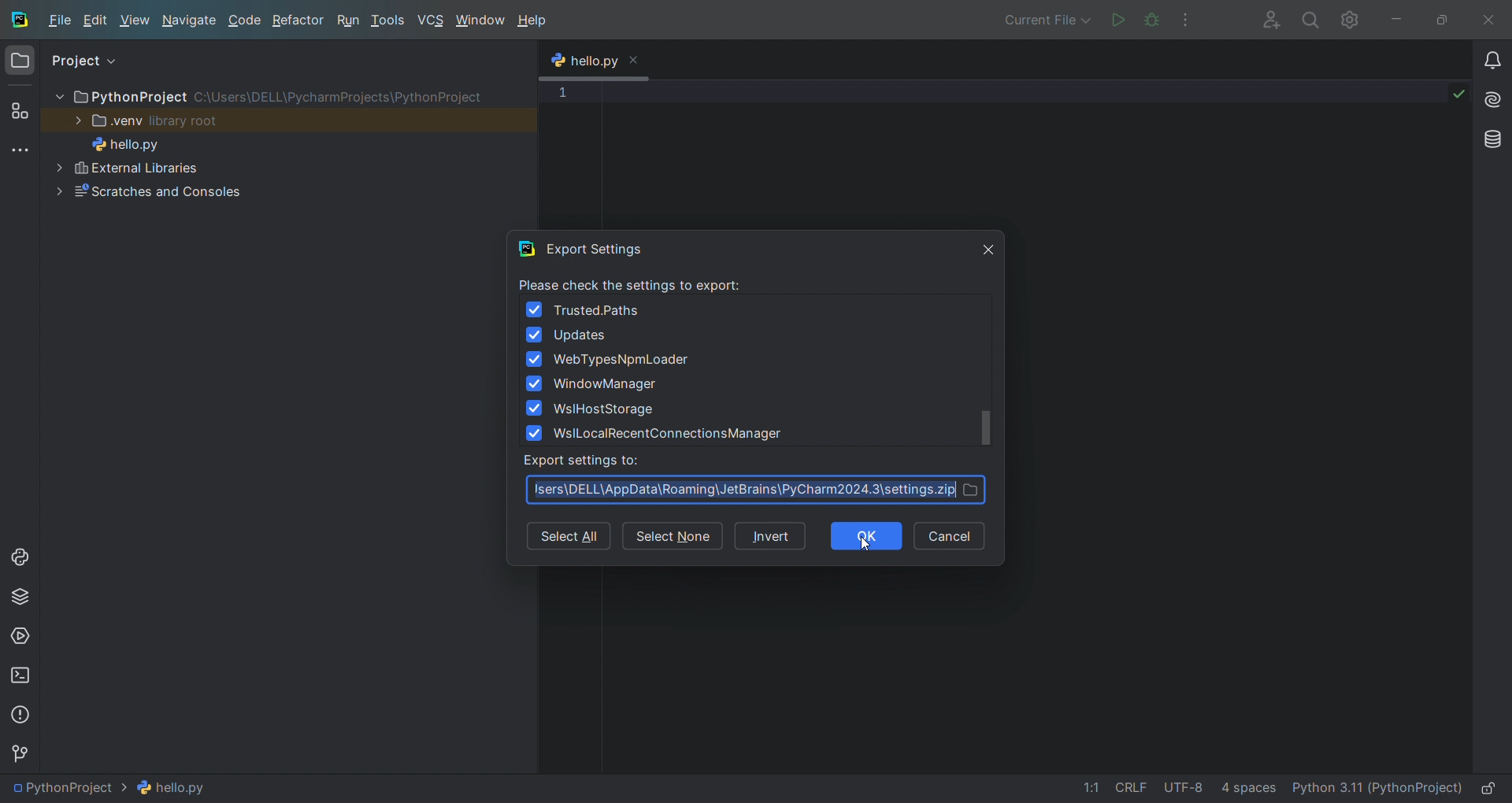 Image resolution: width=1512 pixels, height=803 pixels. Describe the element at coordinates (20, 65) in the screenshot. I see `folder window` at that location.